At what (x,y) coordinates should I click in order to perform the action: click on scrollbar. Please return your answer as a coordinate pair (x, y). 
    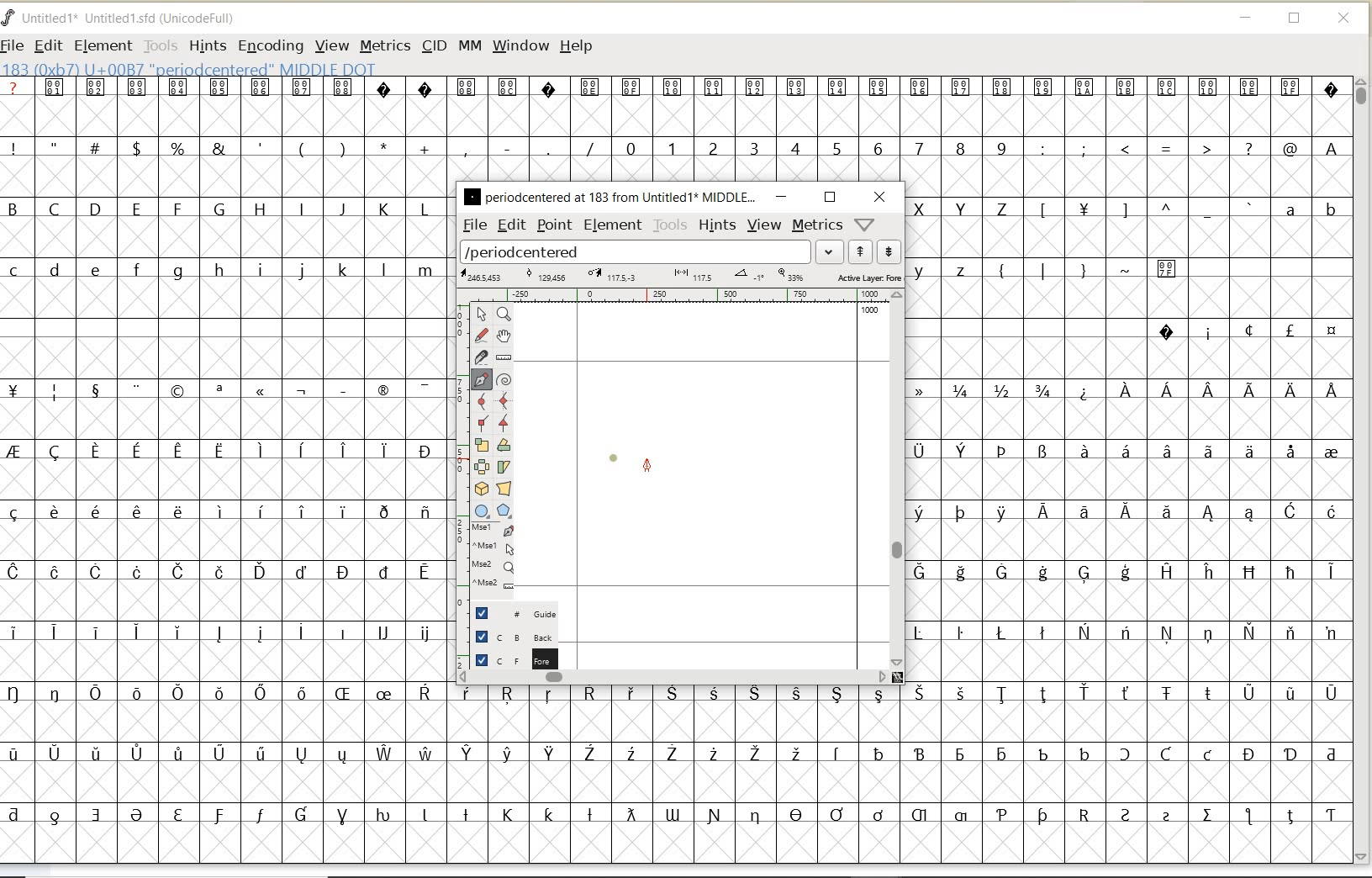
    Looking at the image, I should click on (673, 677).